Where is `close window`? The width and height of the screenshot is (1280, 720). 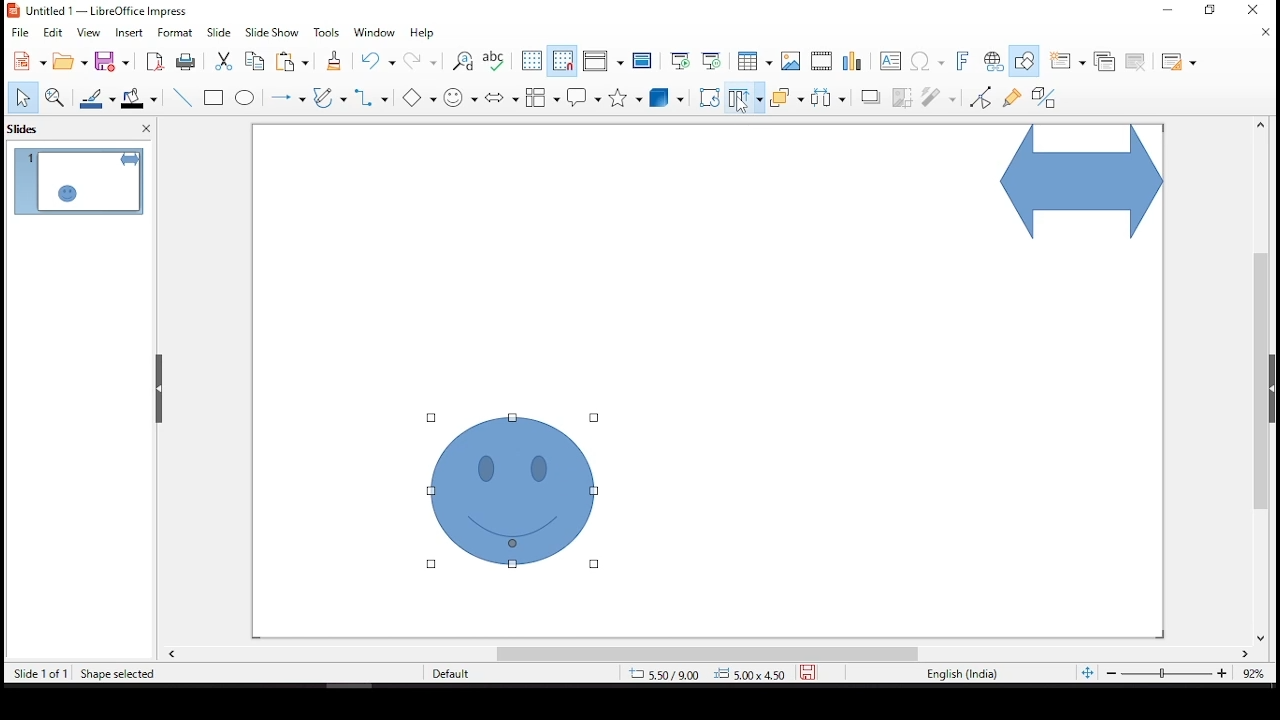 close window is located at coordinates (1252, 10).